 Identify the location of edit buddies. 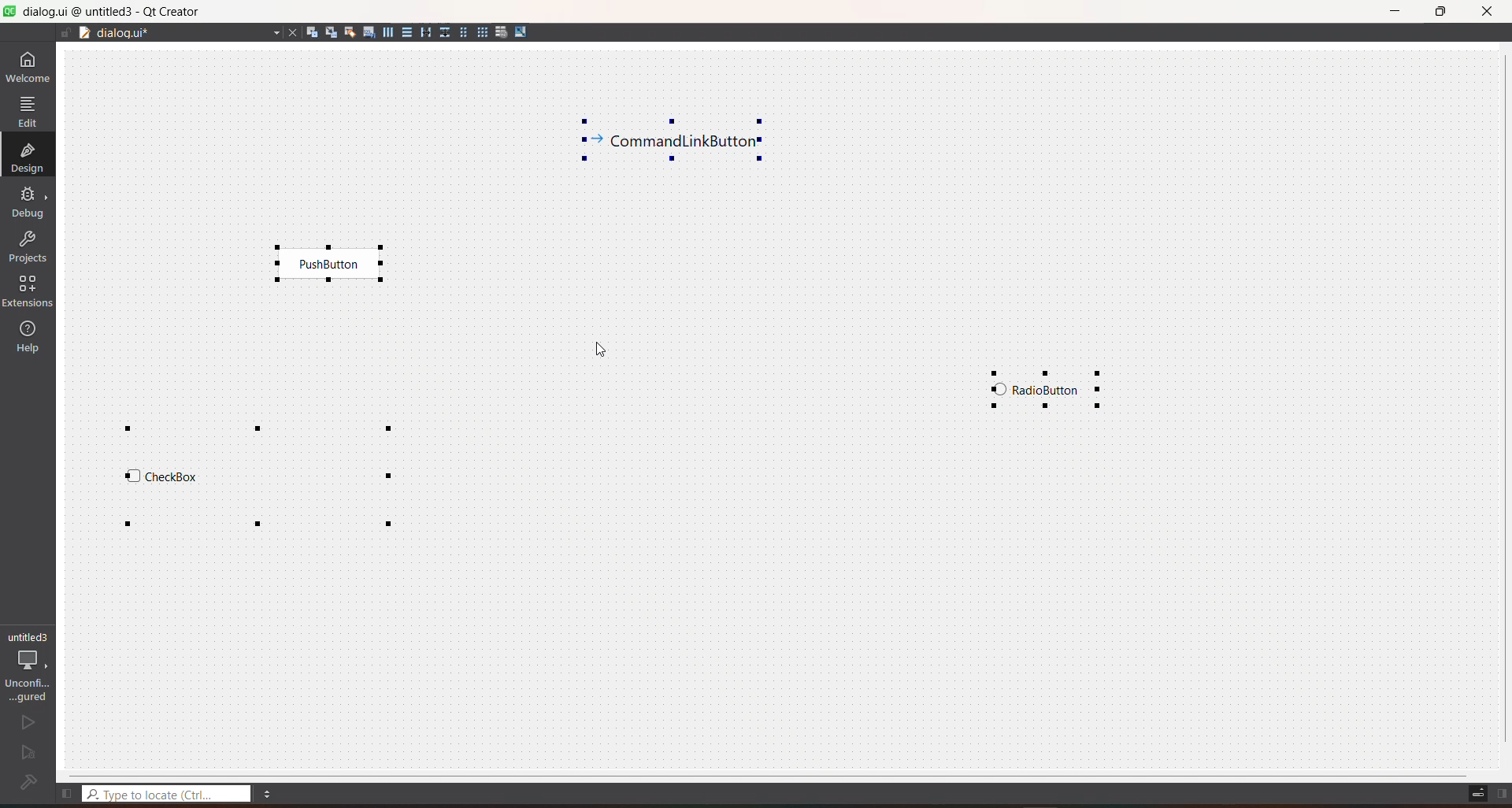
(348, 30).